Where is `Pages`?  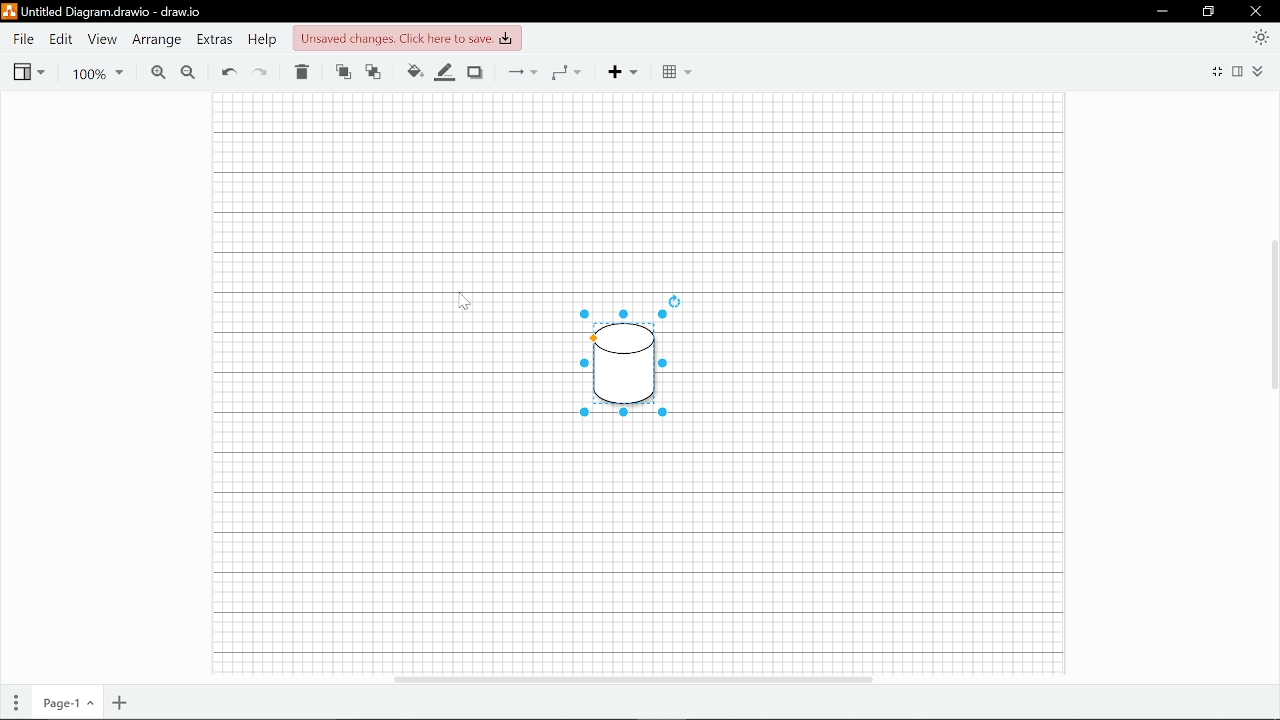
Pages is located at coordinates (16, 701).